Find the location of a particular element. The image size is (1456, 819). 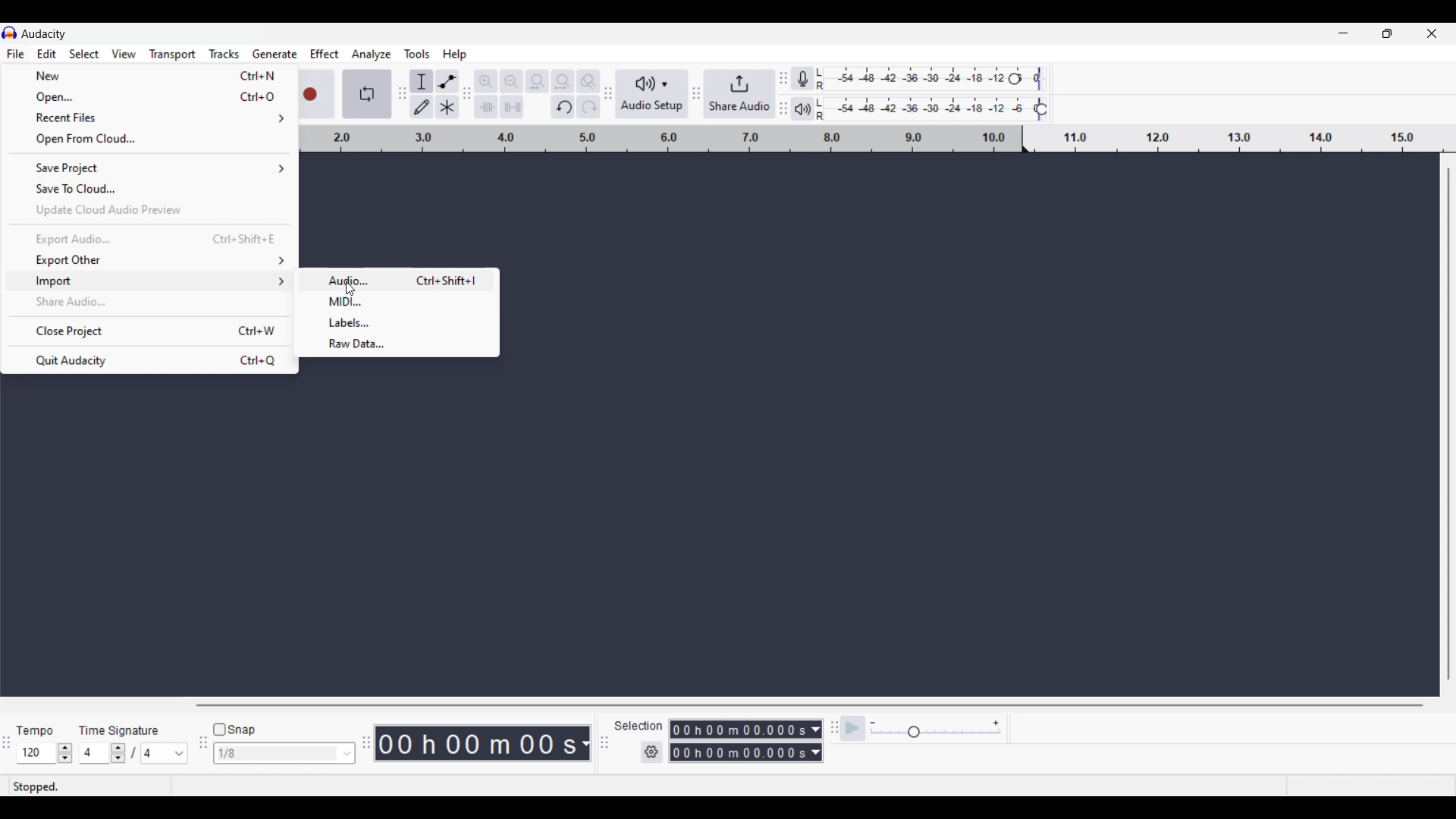

Record/Record new track is located at coordinates (318, 94).